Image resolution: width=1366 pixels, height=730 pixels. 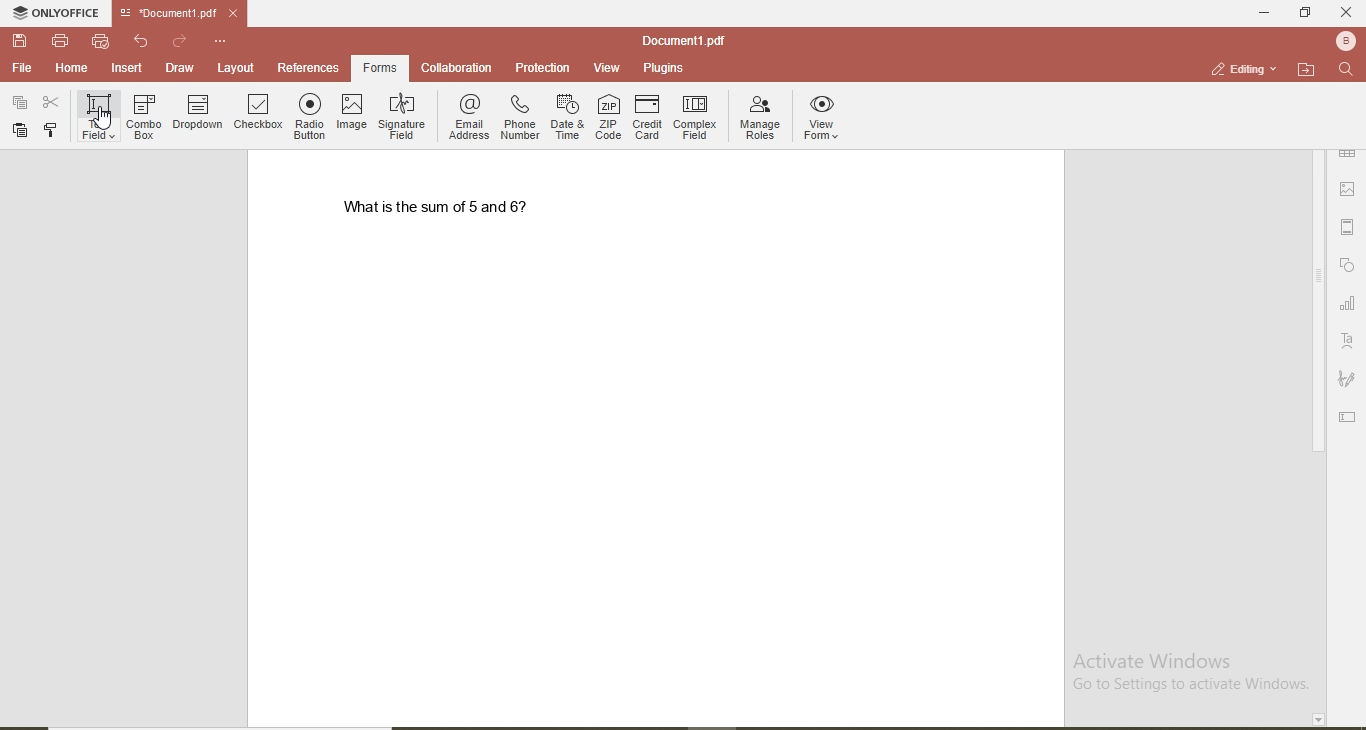 I want to click on signature, so click(x=1349, y=381).